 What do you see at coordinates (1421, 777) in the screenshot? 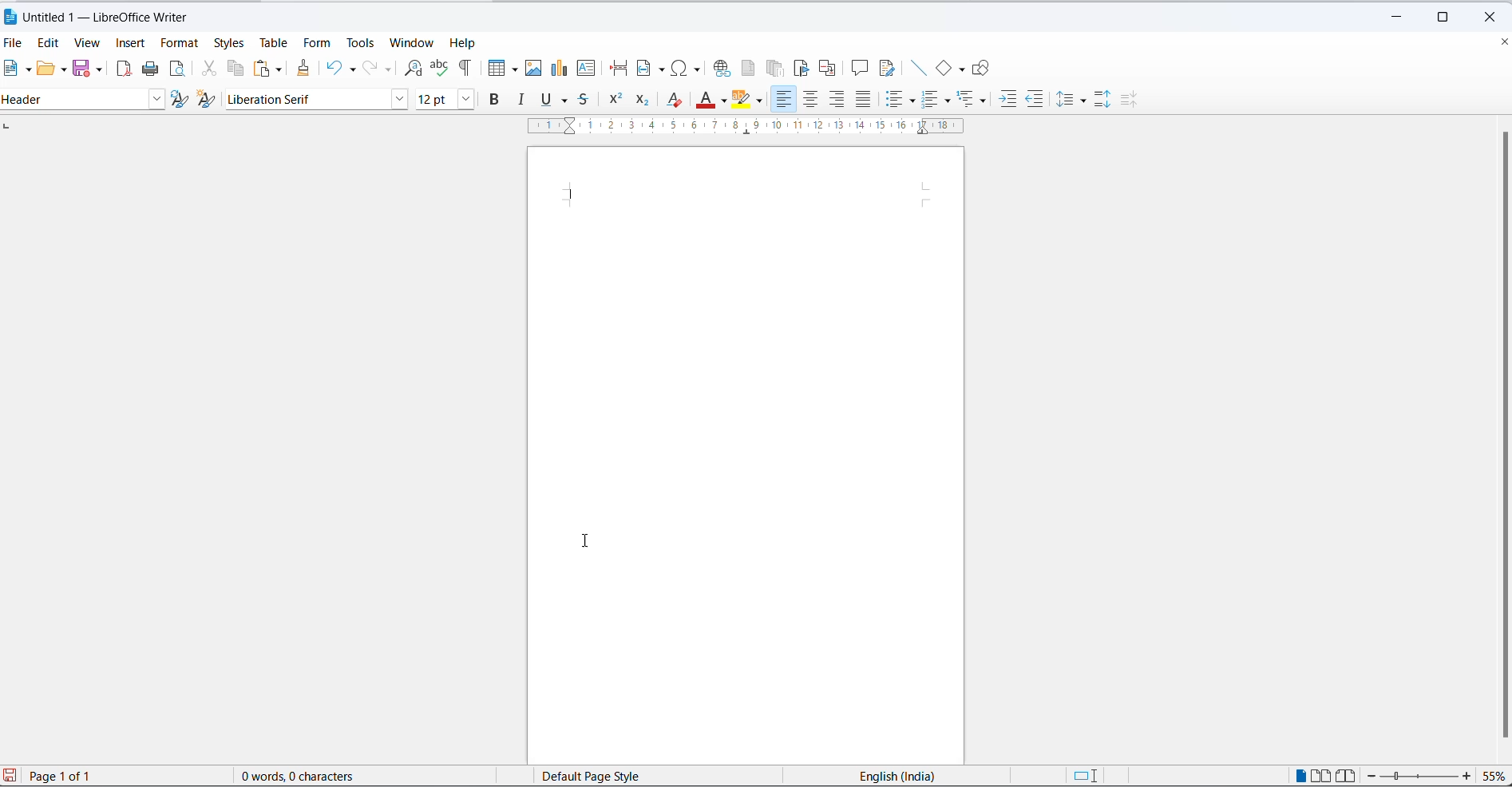
I see `zoom slider` at bounding box center [1421, 777].